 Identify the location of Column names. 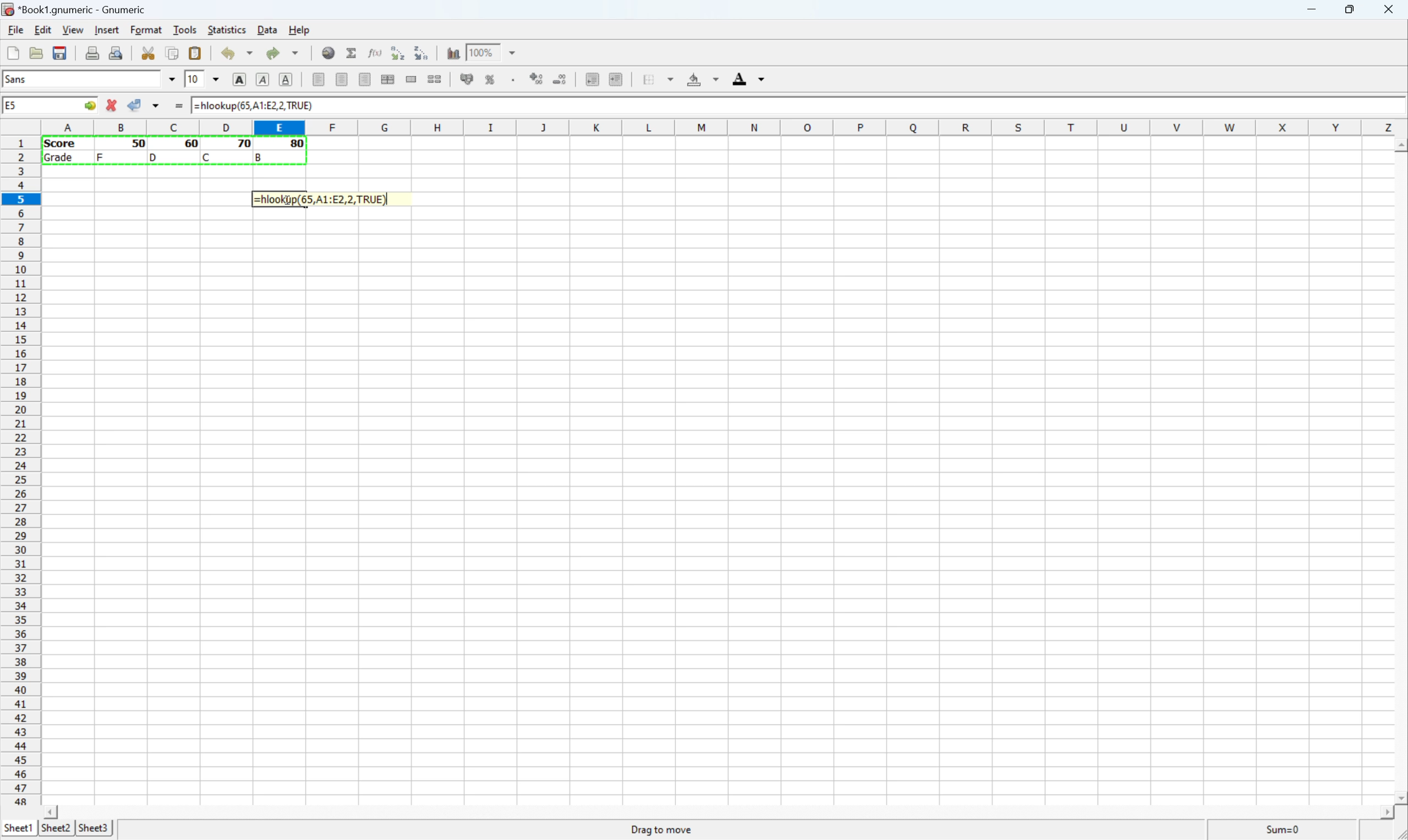
(724, 126).